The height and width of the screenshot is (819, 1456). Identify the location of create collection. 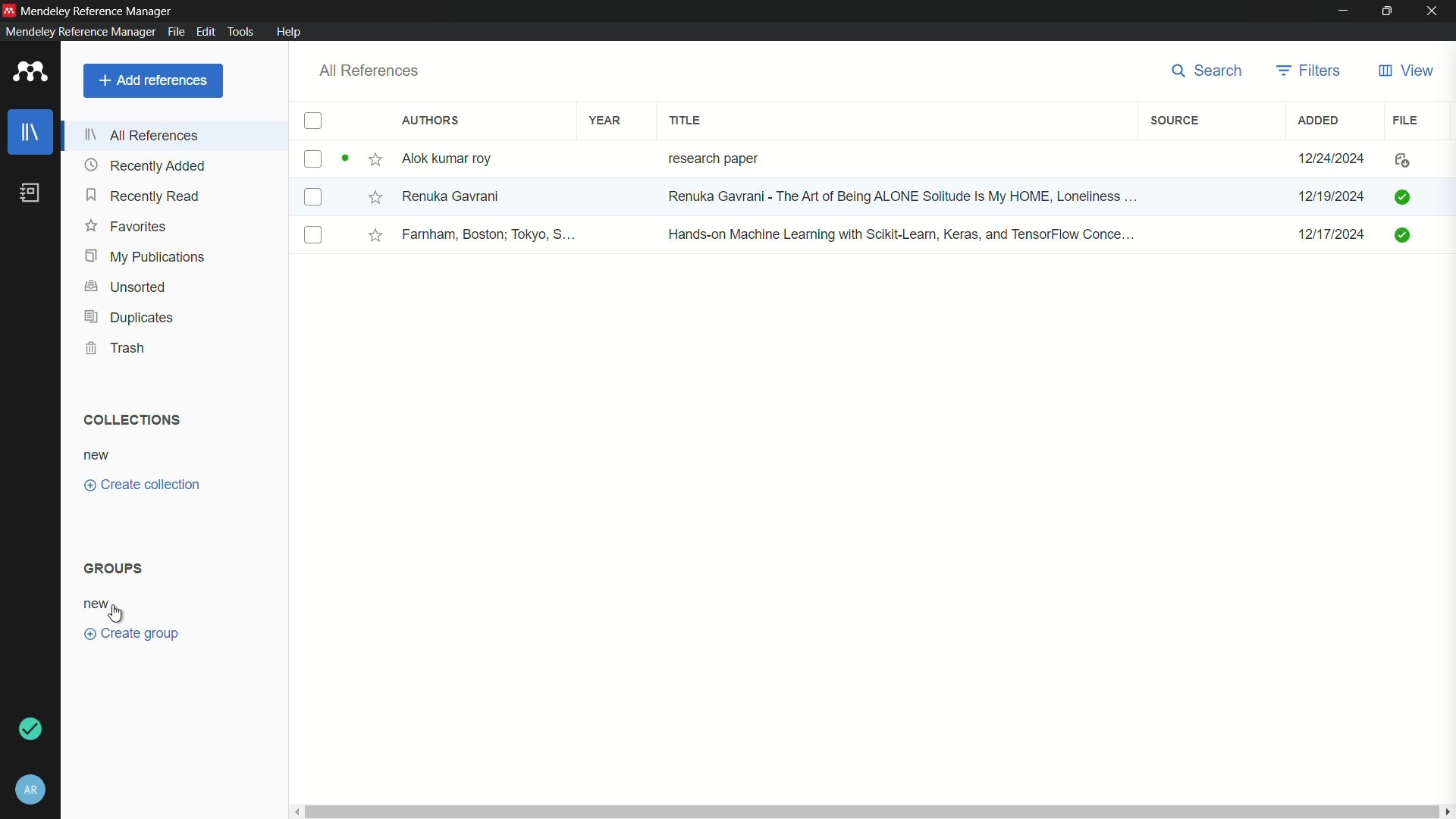
(143, 485).